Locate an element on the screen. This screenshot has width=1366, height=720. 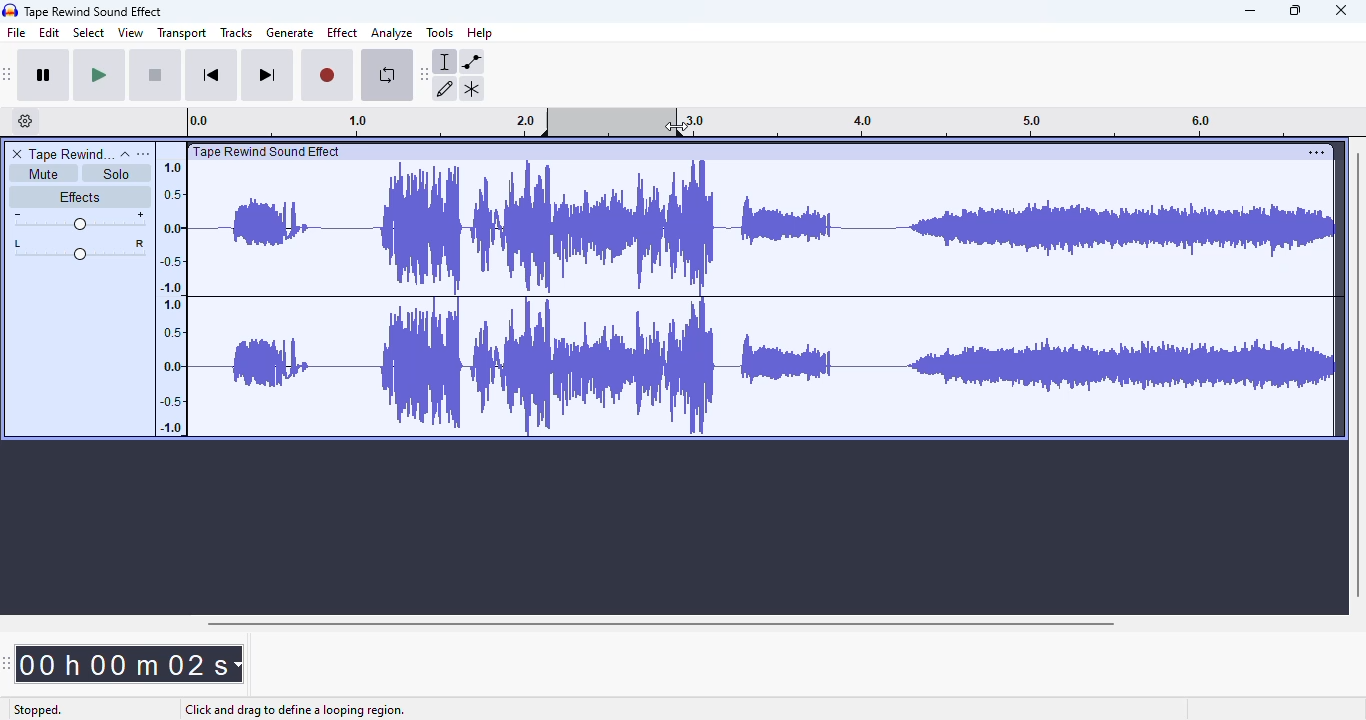
stop is located at coordinates (155, 74).